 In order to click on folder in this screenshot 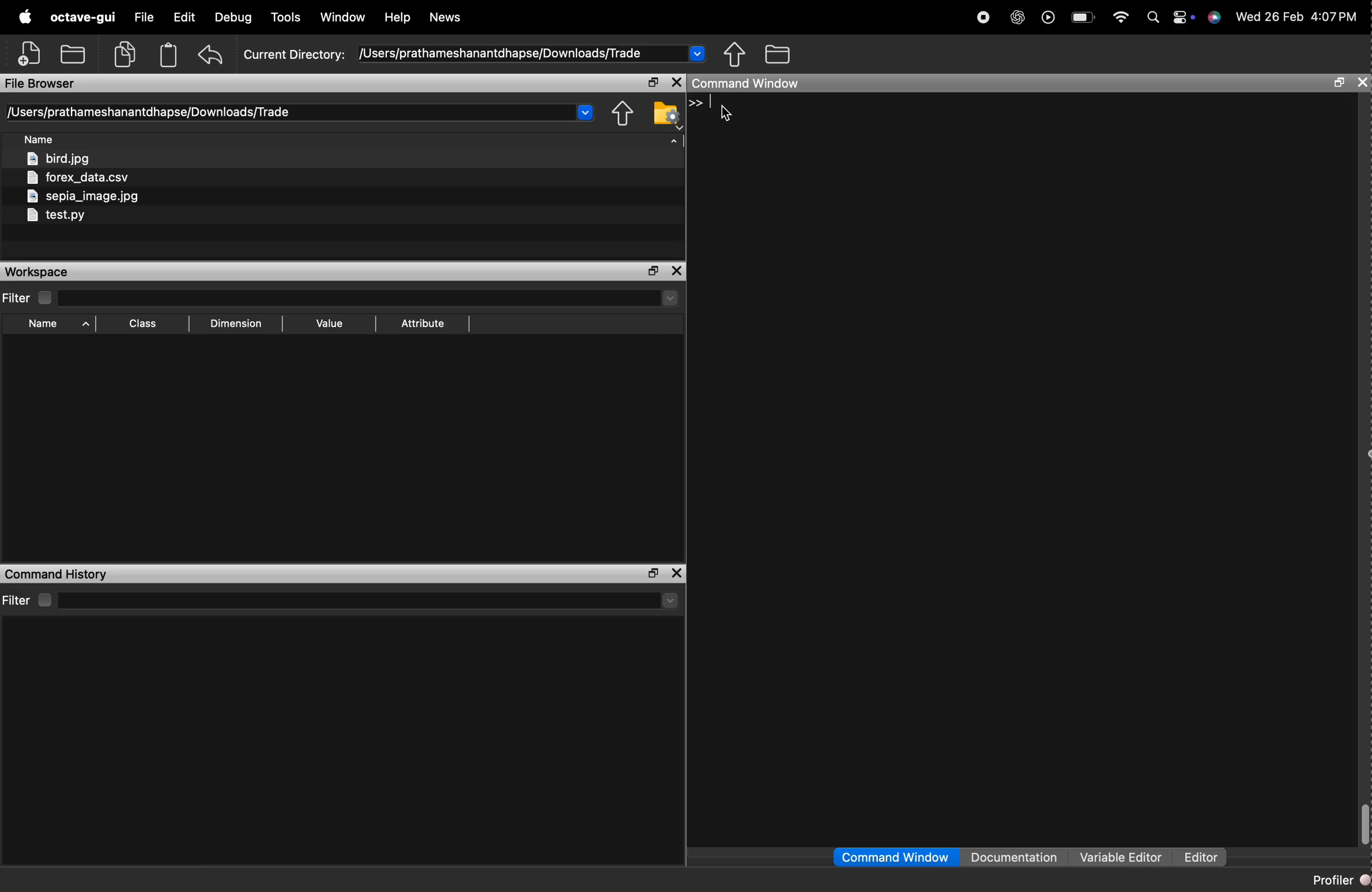, I will do `click(777, 54)`.